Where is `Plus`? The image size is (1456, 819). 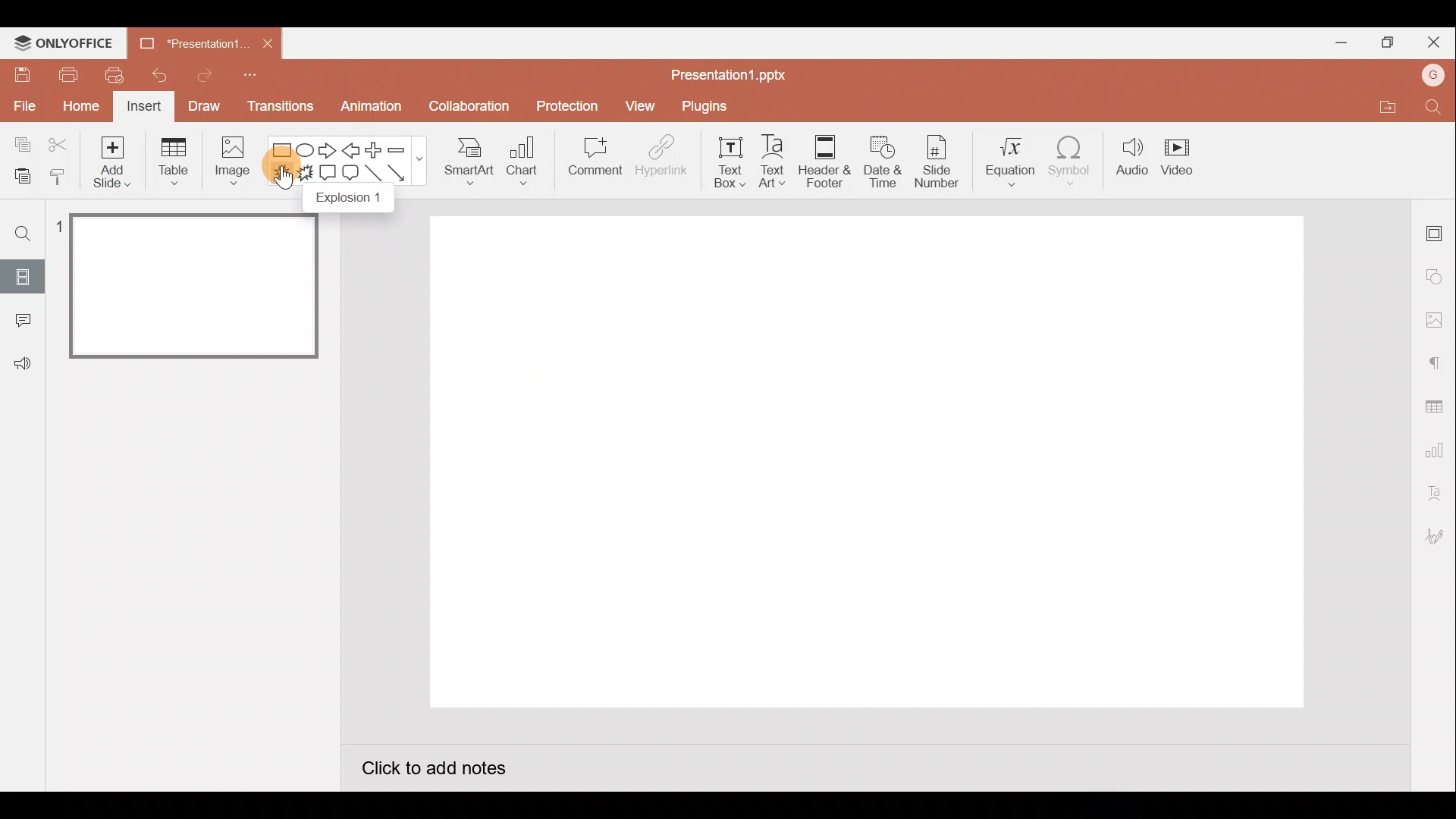 Plus is located at coordinates (372, 150).